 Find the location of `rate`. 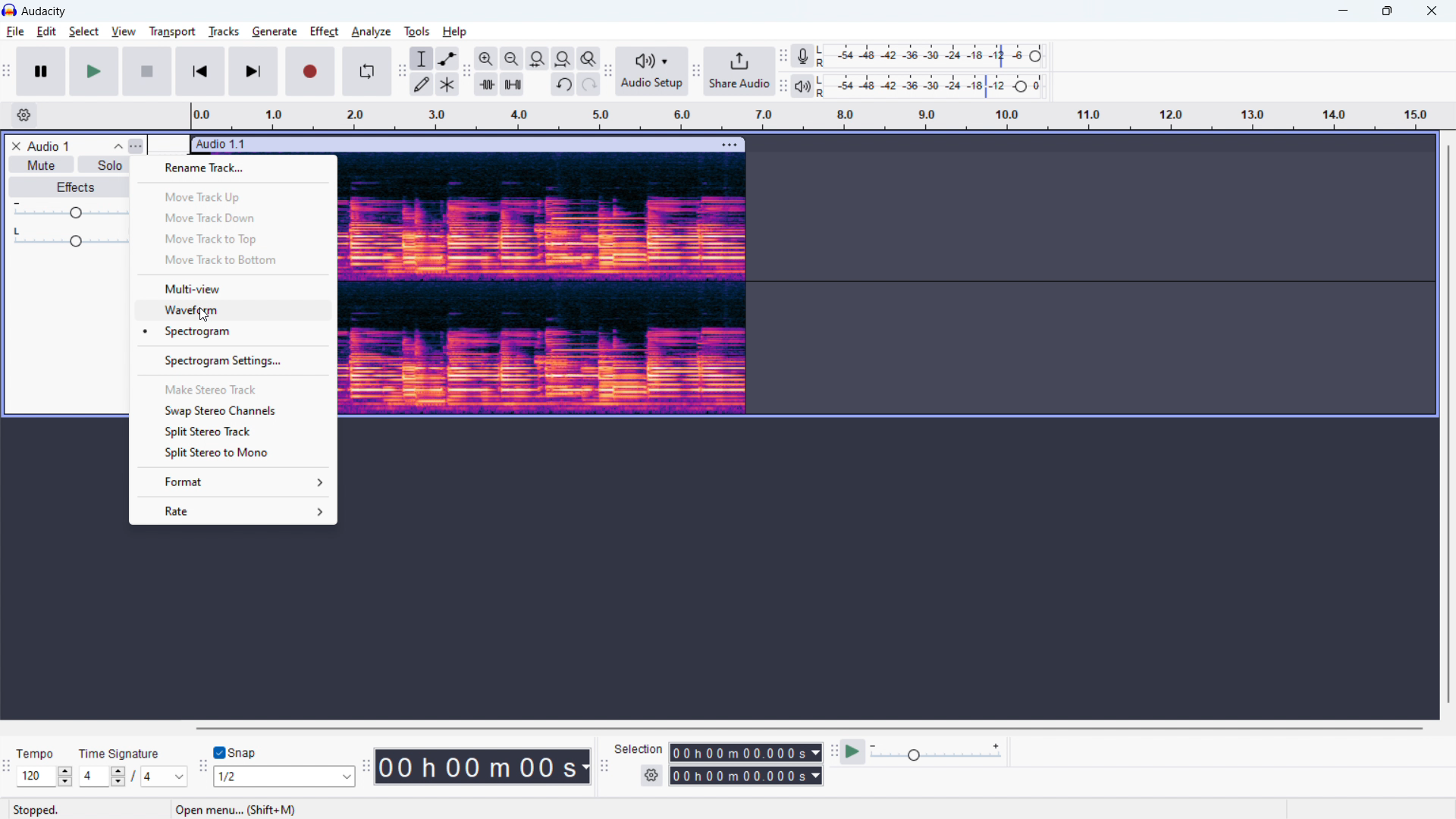

rate is located at coordinates (231, 510).